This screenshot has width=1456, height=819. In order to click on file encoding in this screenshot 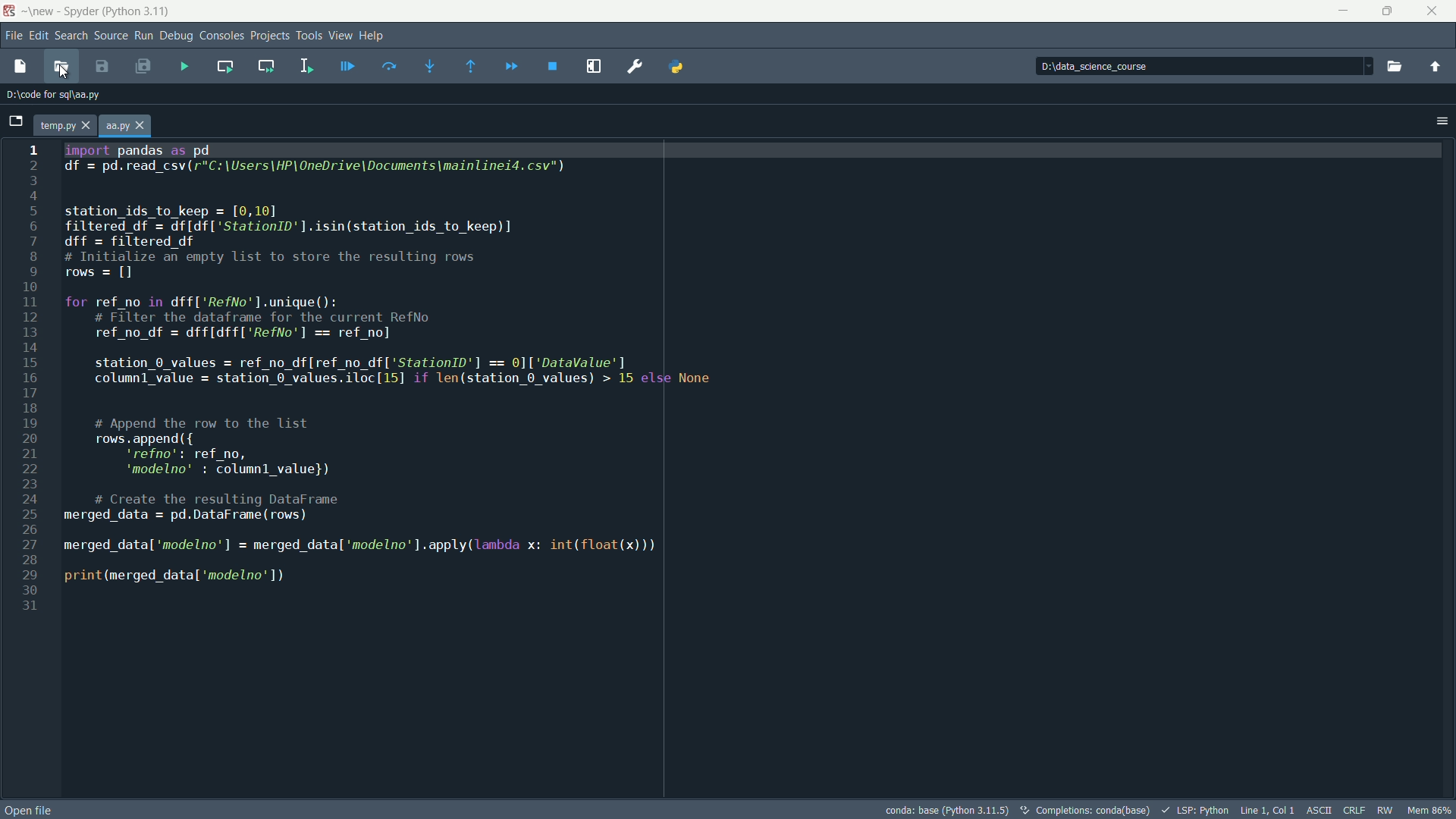, I will do `click(1322, 809)`.